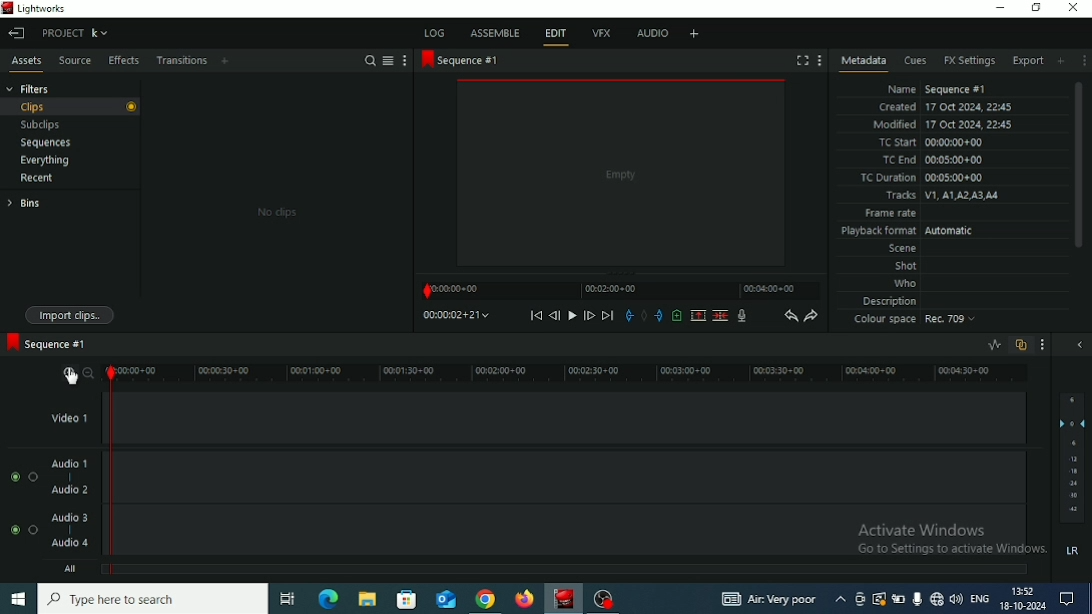 The width and height of the screenshot is (1092, 614). Describe the element at coordinates (936, 600) in the screenshot. I see `Internet` at that location.